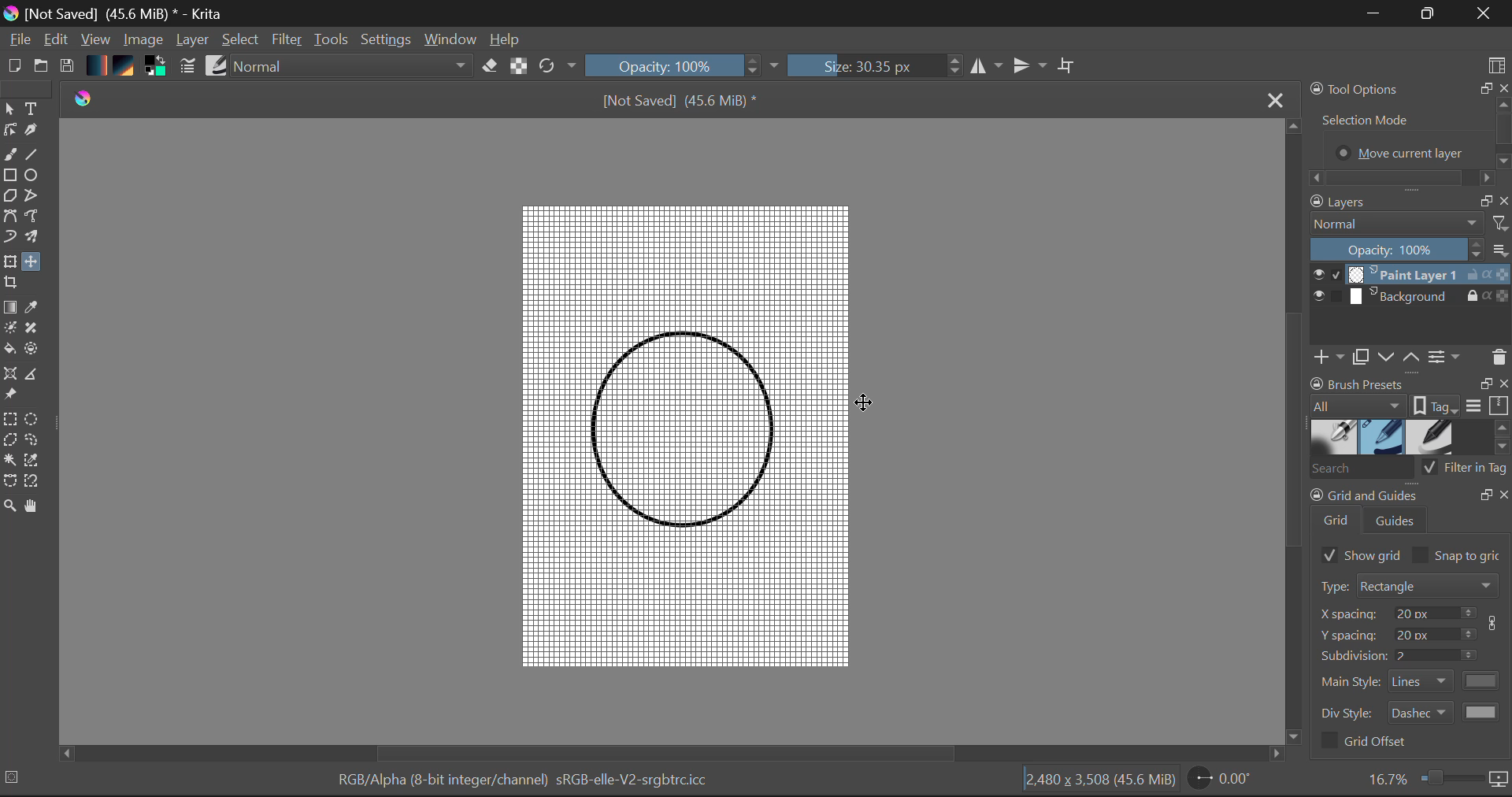 This screenshot has width=1512, height=797. I want to click on Color Information, so click(531, 783).